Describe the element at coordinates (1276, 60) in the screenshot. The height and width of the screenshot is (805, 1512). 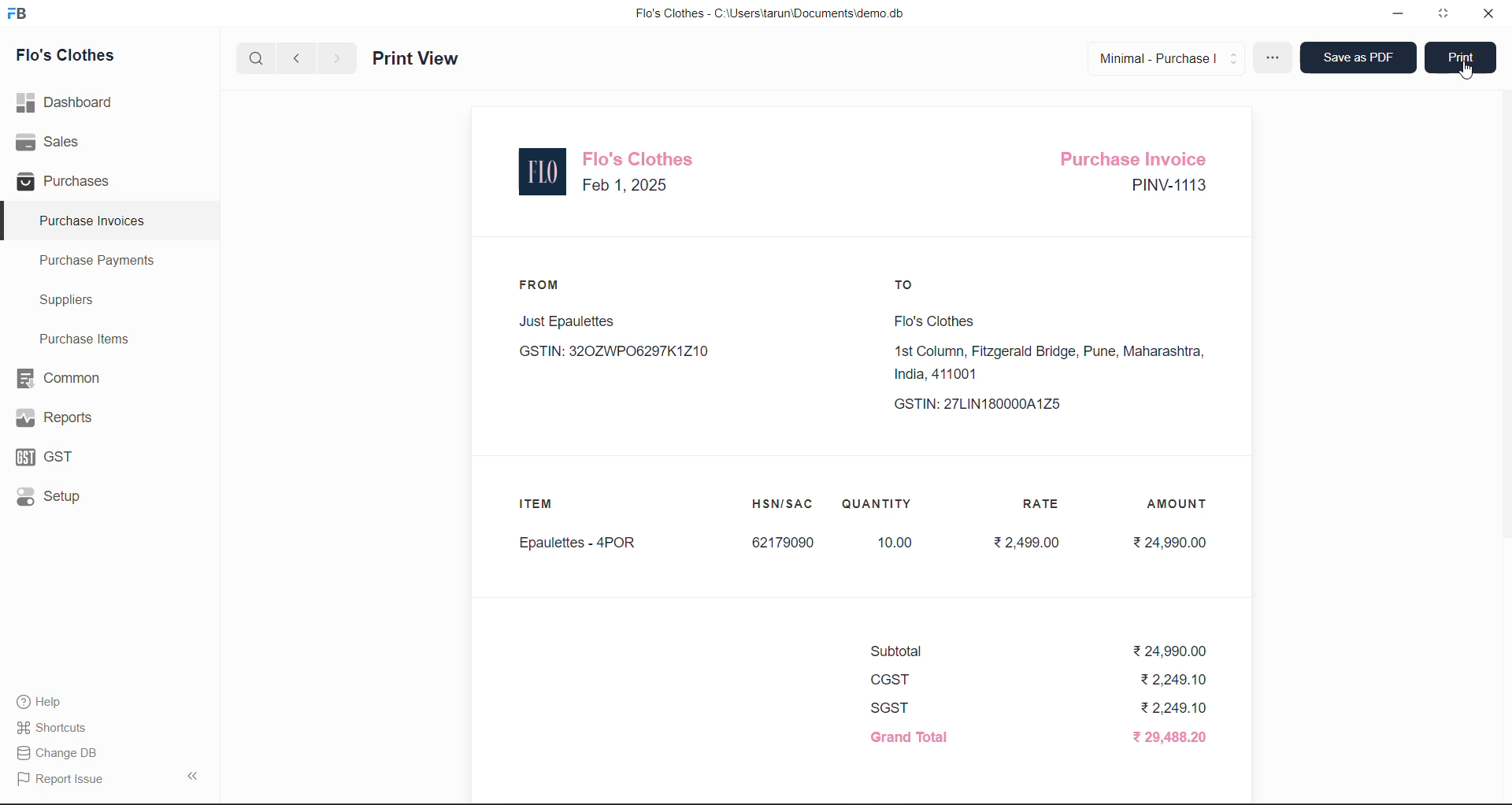
I see `more options` at that location.